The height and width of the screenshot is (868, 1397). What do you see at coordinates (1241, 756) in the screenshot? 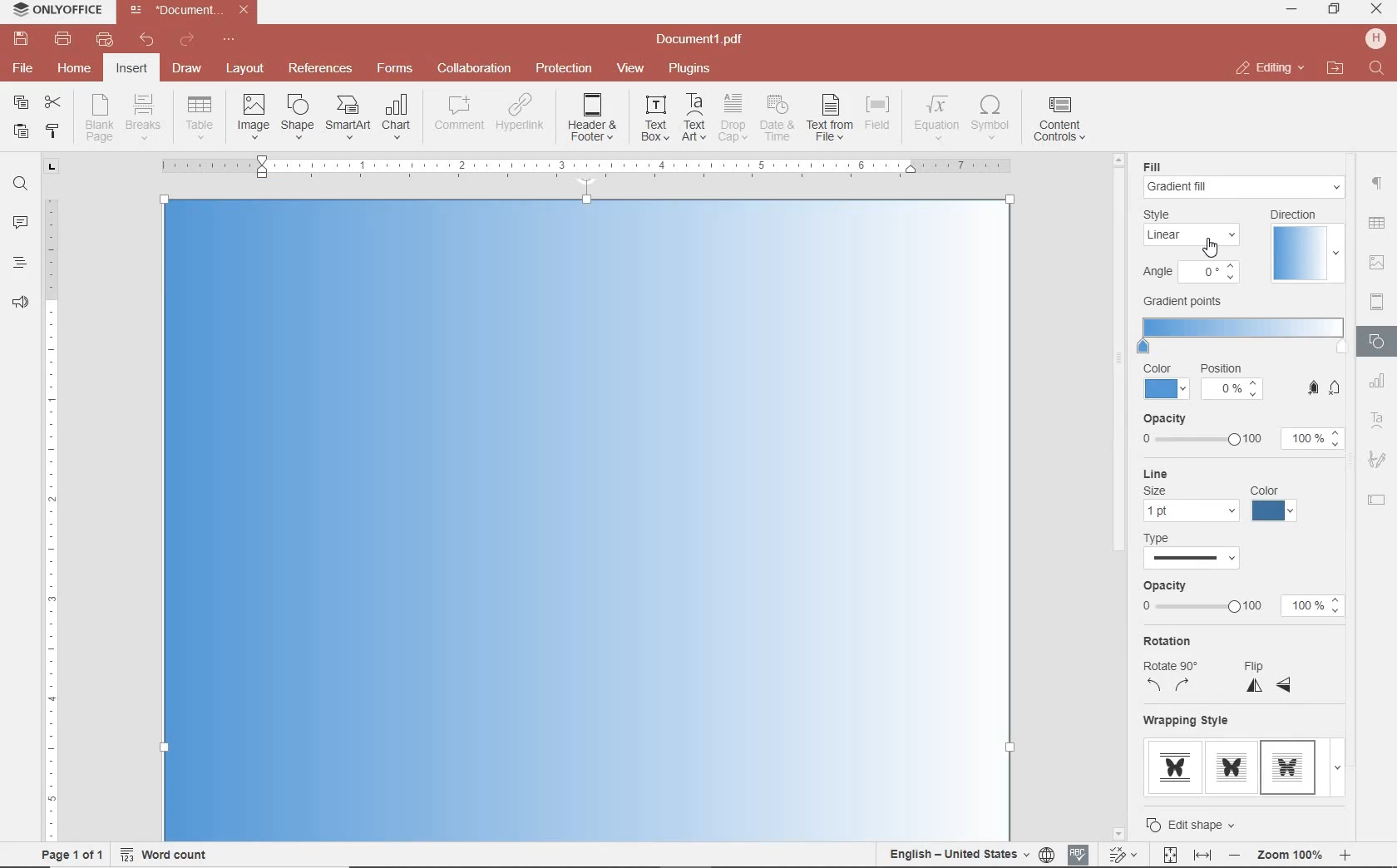
I see `BEHIND TEXT` at bounding box center [1241, 756].